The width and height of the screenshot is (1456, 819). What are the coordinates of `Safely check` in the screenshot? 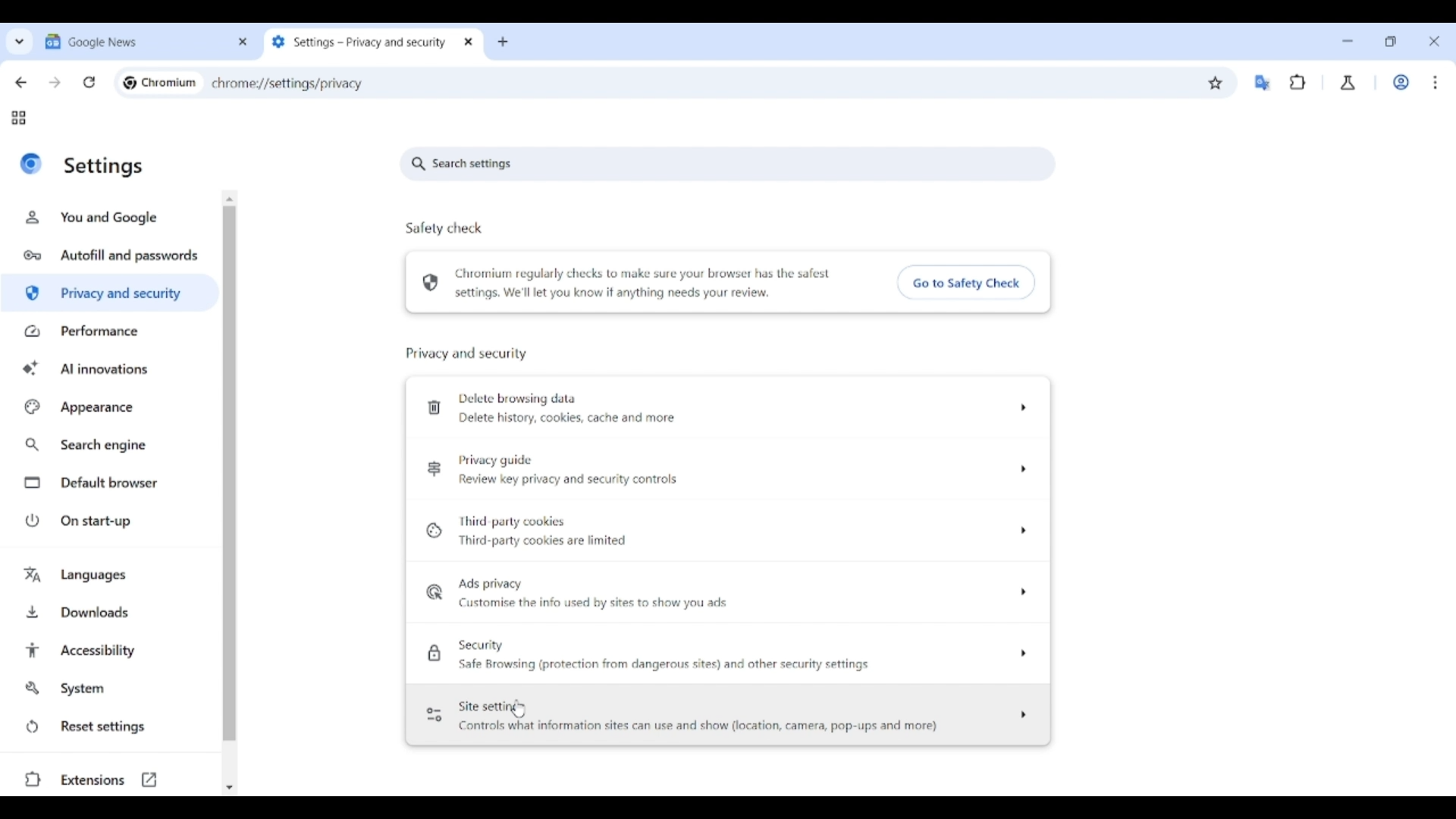 It's located at (444, 228).